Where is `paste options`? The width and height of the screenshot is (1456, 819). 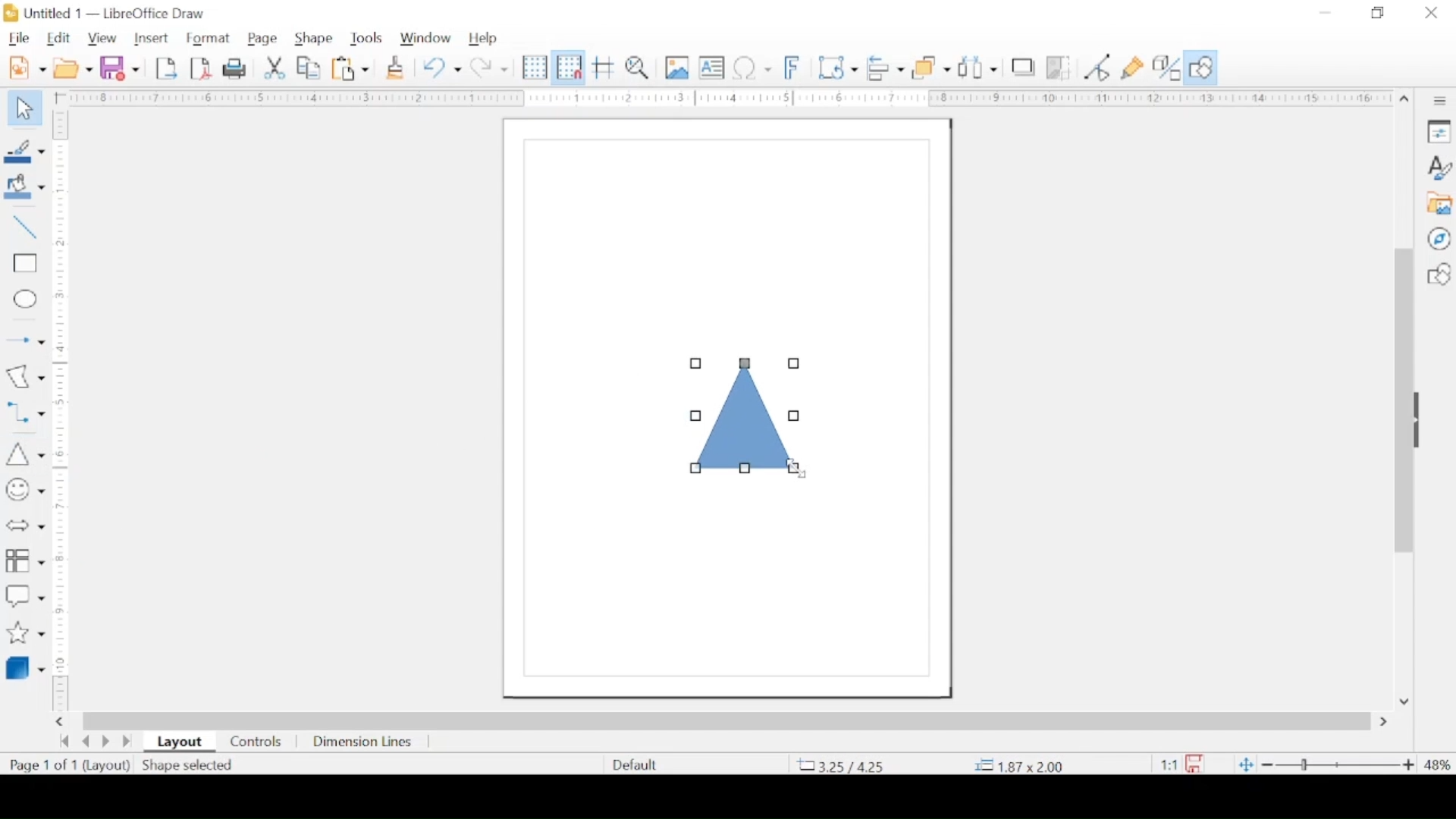
paste options is located at coordinates (351, 69).